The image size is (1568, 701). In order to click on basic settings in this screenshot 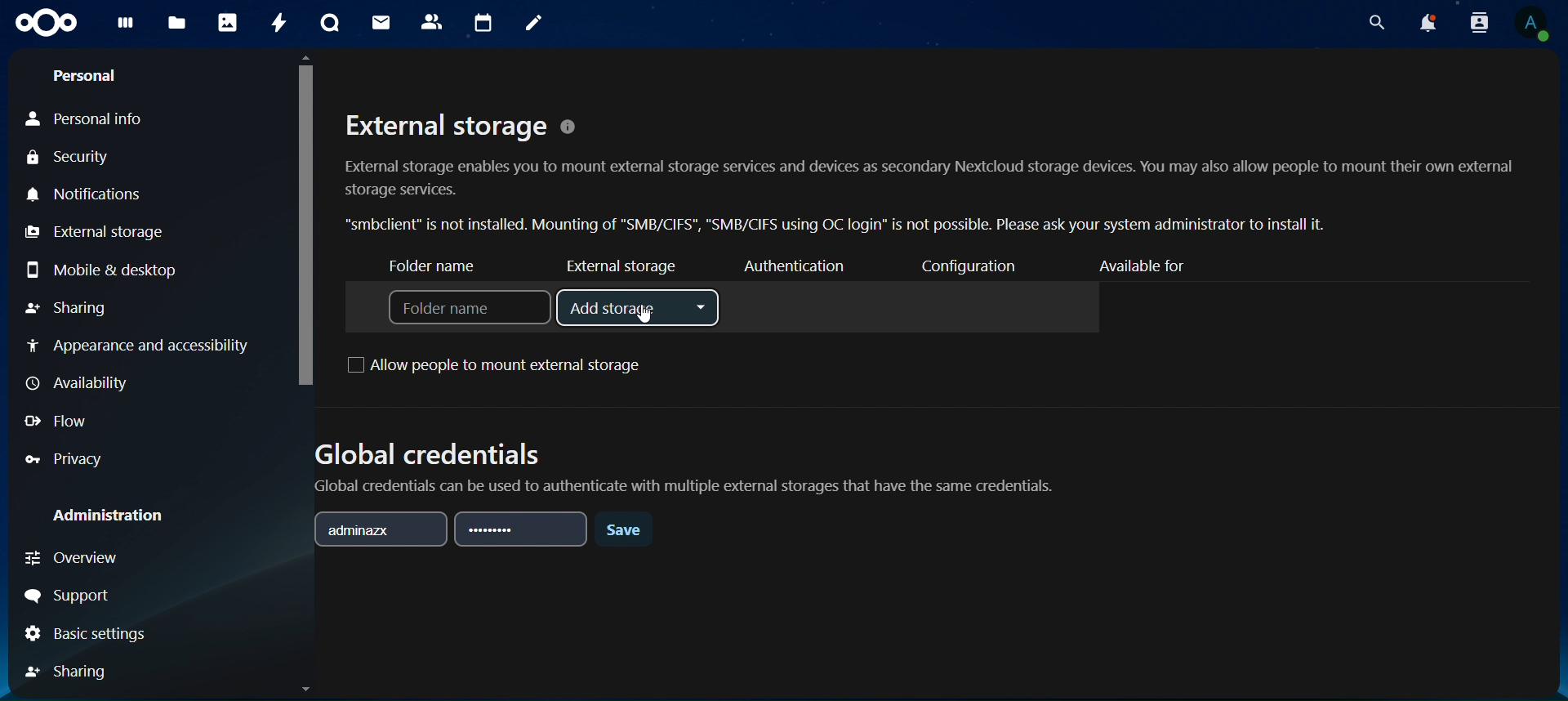, I will do `click(88, 633)`.